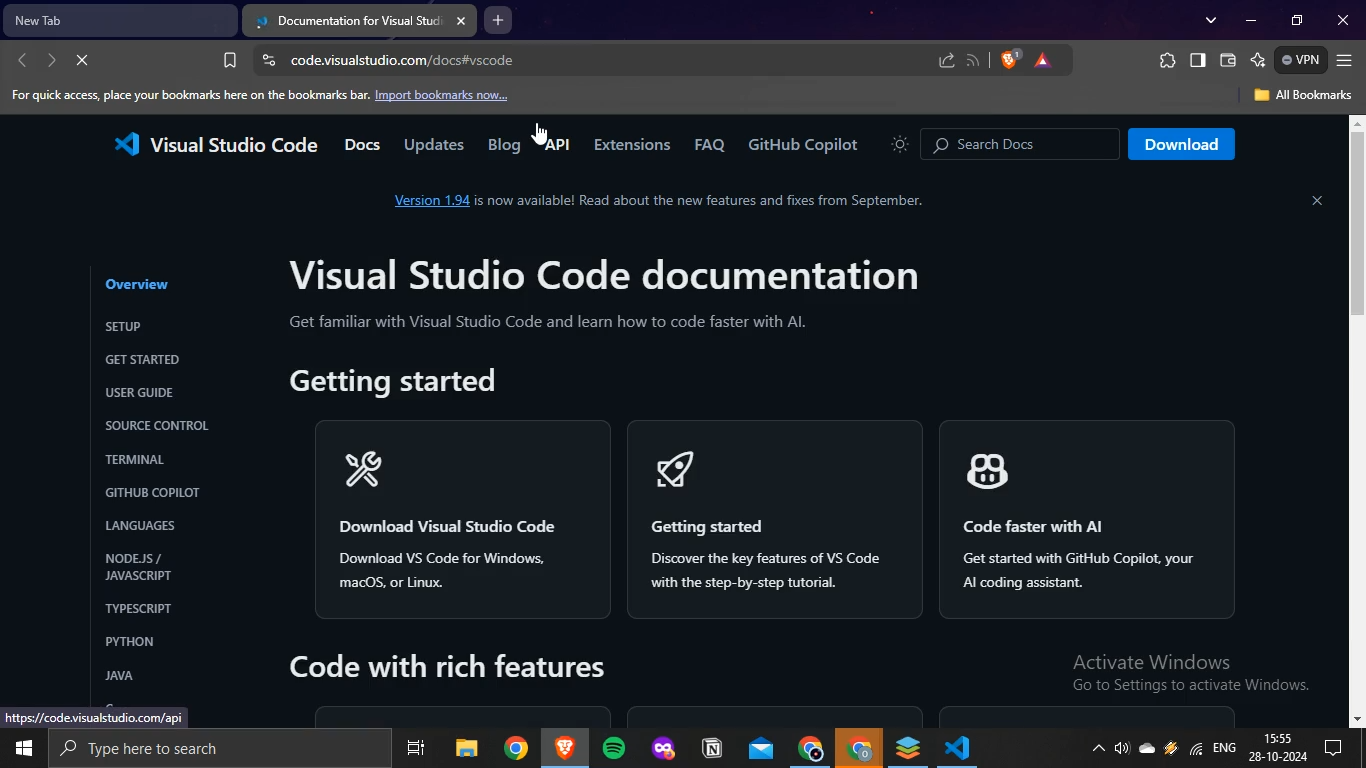 This screenshot has height=768, width=1366. Describe the element at coordinates (137, 569) in the screenshot. I see `NODEJS /
JAVASCRIPT` at that location.